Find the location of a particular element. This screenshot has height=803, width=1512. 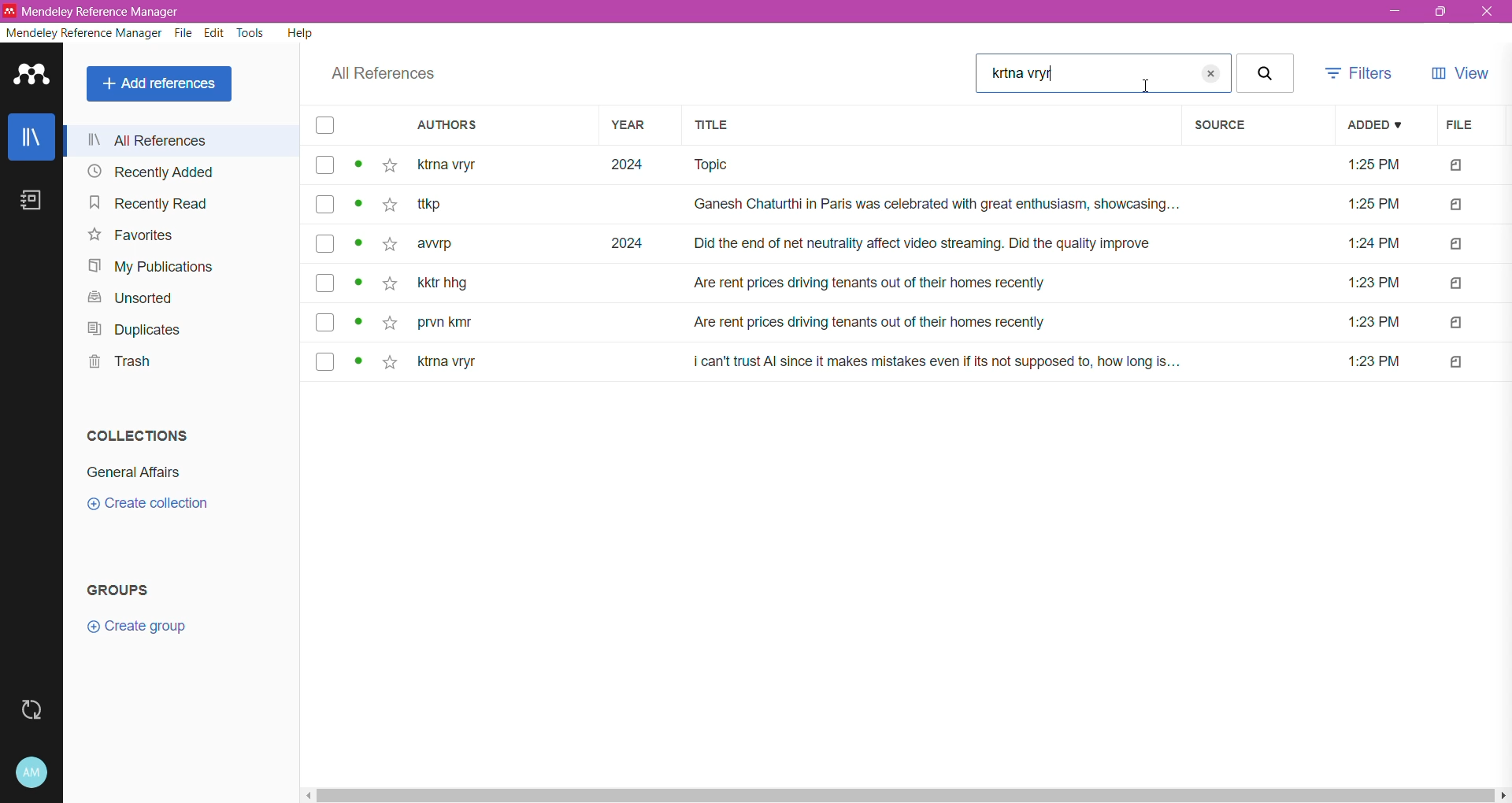

Collections is located at coordinates (139, 435).